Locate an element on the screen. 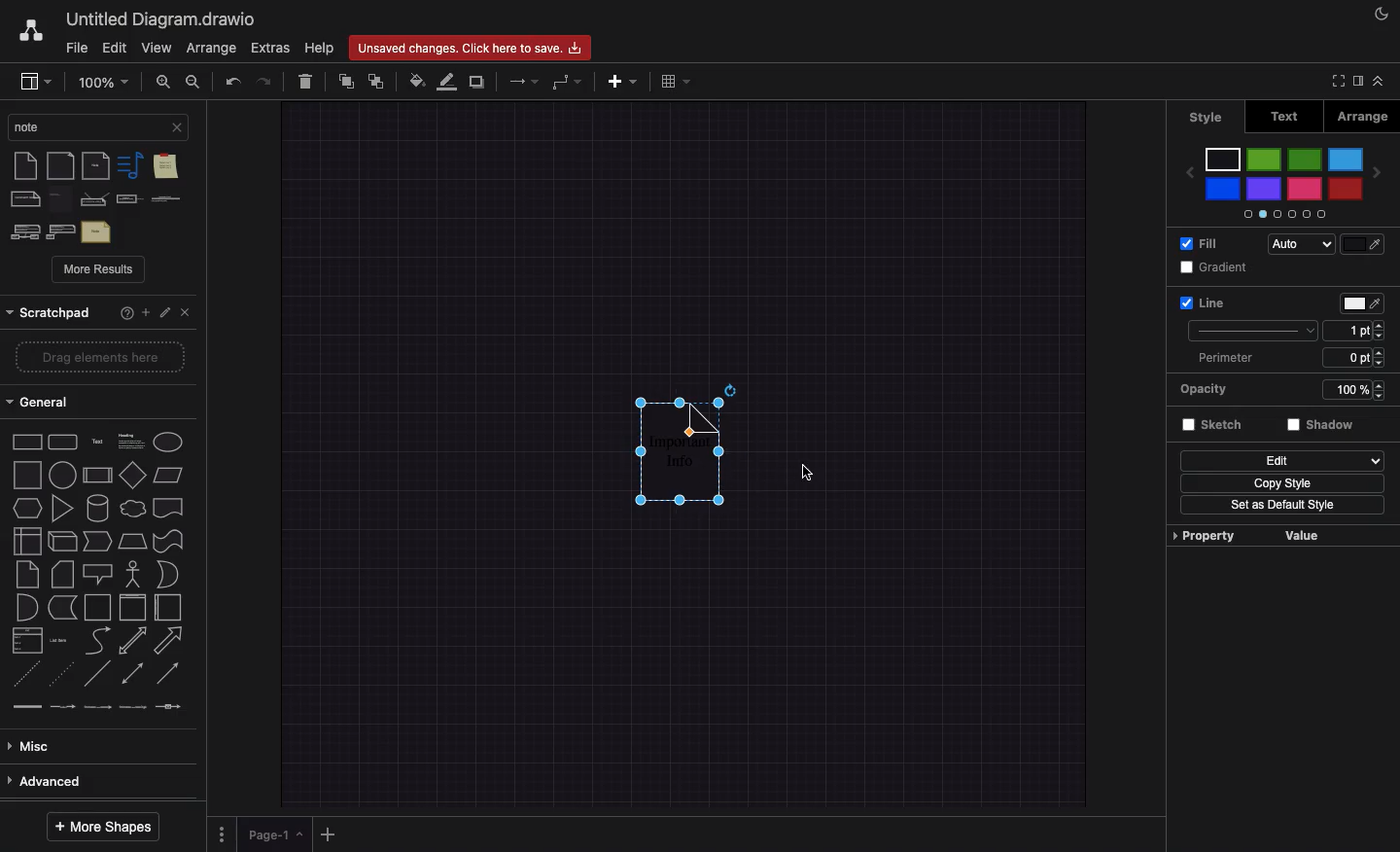  pink is located at coordinates (1303, 190).